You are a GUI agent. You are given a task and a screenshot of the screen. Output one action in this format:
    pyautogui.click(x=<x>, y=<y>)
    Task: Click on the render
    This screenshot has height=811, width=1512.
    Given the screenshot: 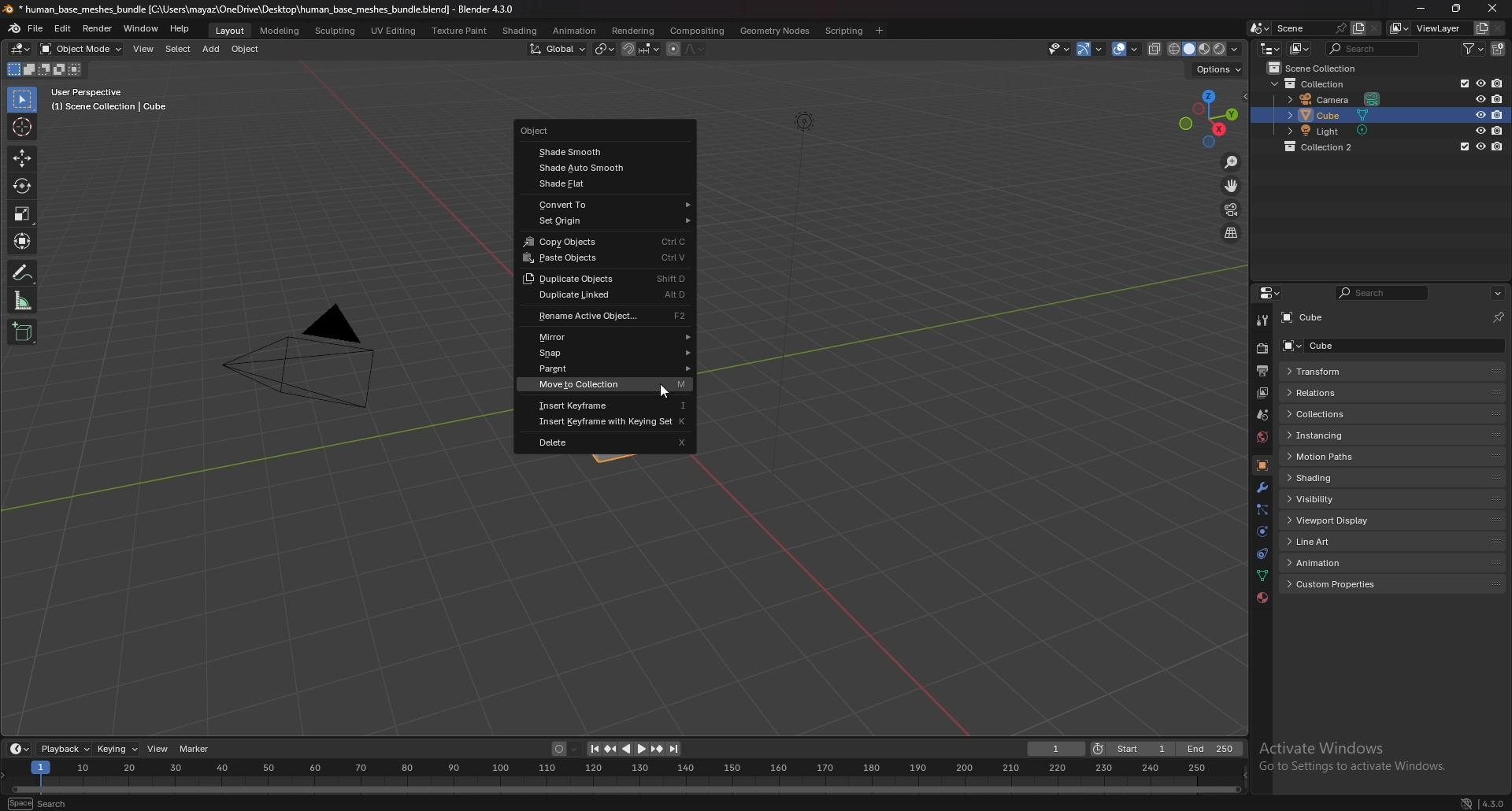 What is the action you would take?
    pyautogui.click(x=98, y=28)
    